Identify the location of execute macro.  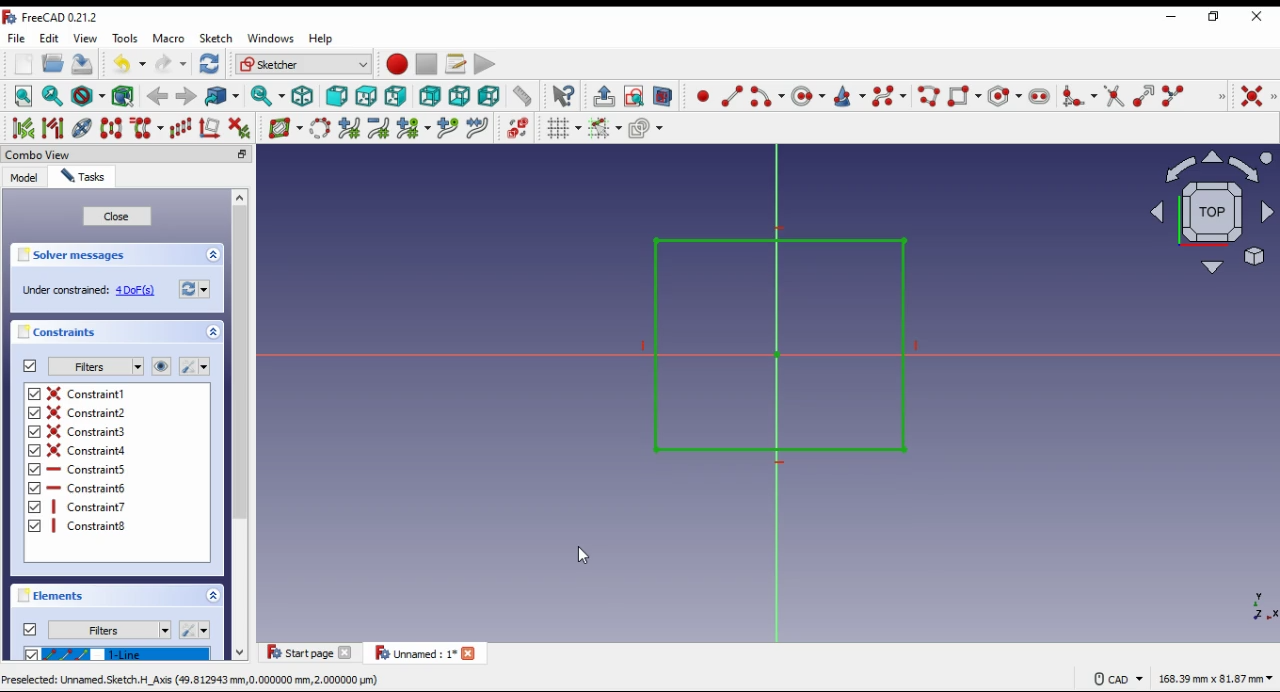
(485, 63).